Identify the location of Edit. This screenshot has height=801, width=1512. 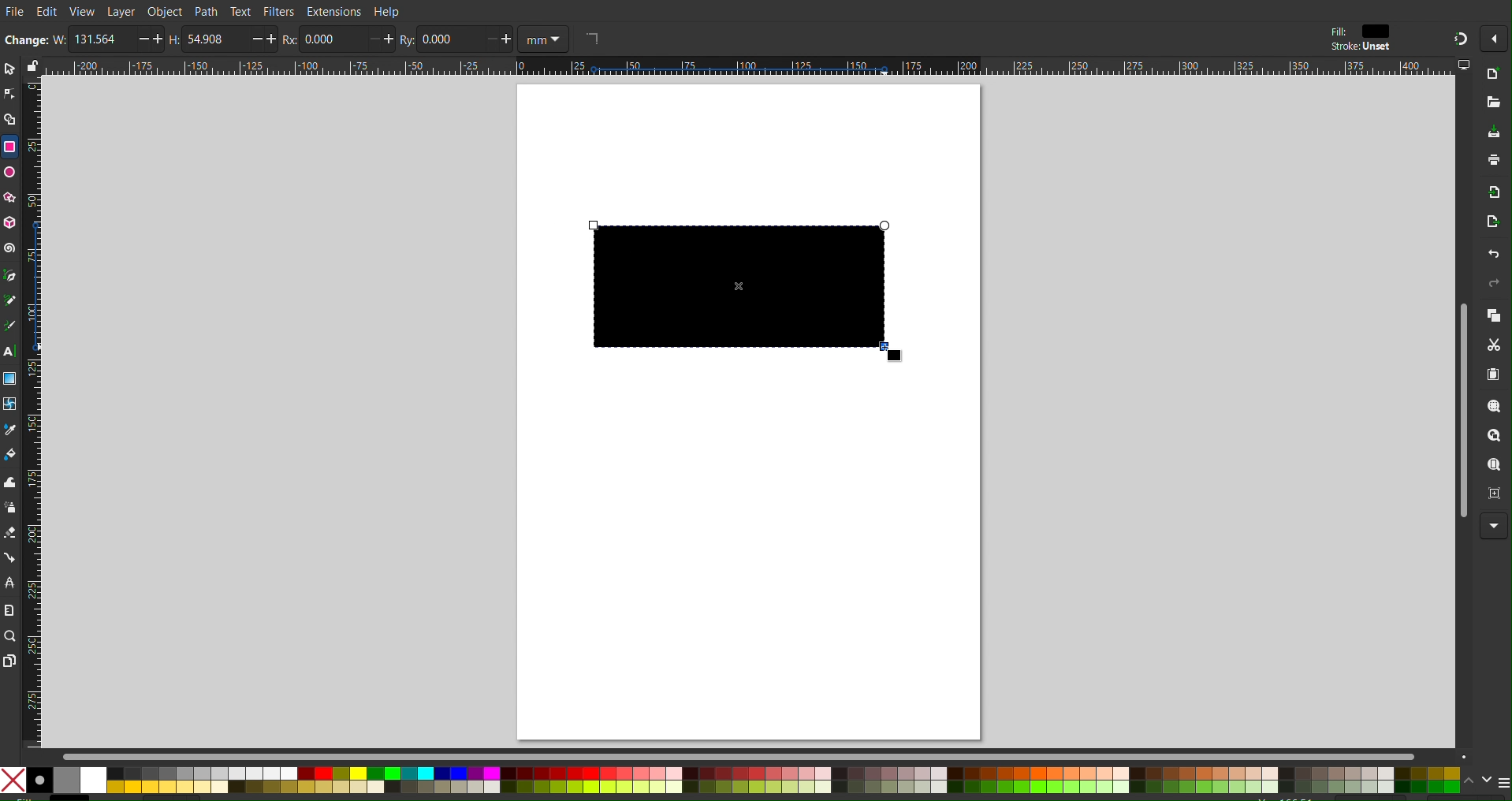
(47, 12).